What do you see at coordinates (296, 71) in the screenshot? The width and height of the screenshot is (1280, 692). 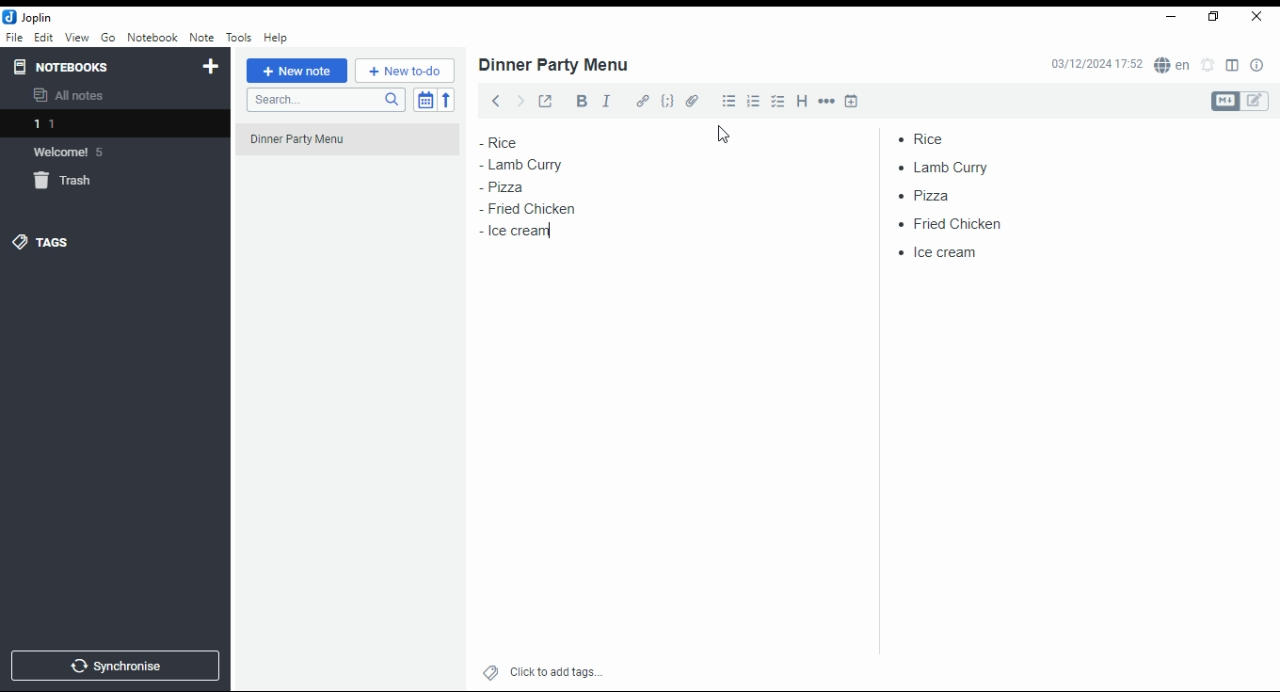 I see `new note` at bounding box center [296, 71].